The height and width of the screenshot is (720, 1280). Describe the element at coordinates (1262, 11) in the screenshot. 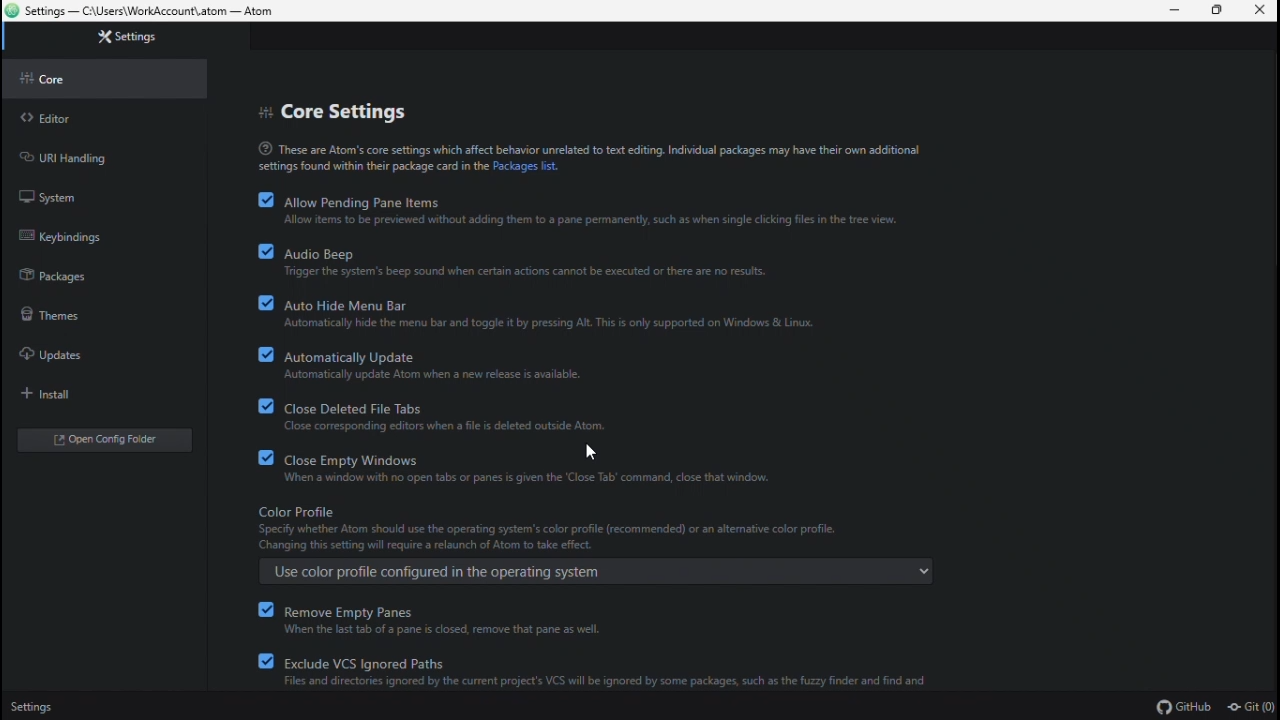

I see `Close` at that location.